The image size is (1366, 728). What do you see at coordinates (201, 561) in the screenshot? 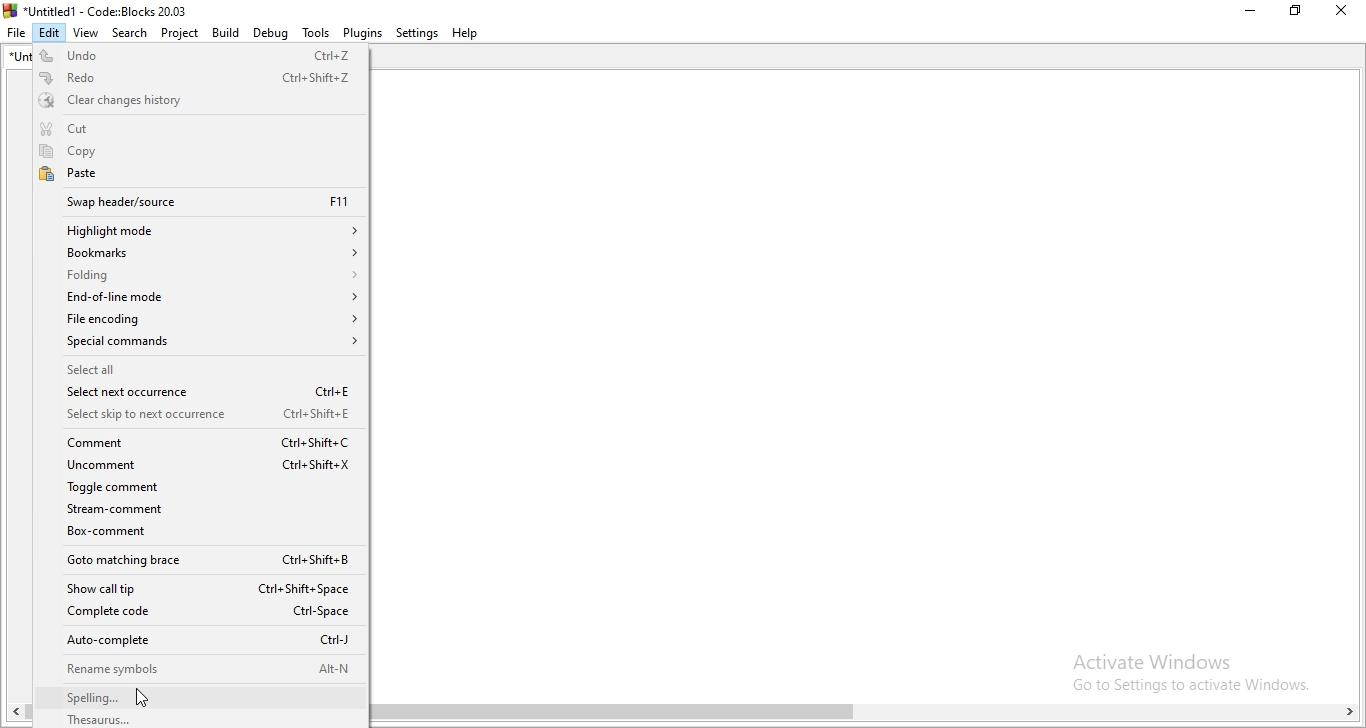
I see `Goto matching brace` at bounding box center [201, 561].